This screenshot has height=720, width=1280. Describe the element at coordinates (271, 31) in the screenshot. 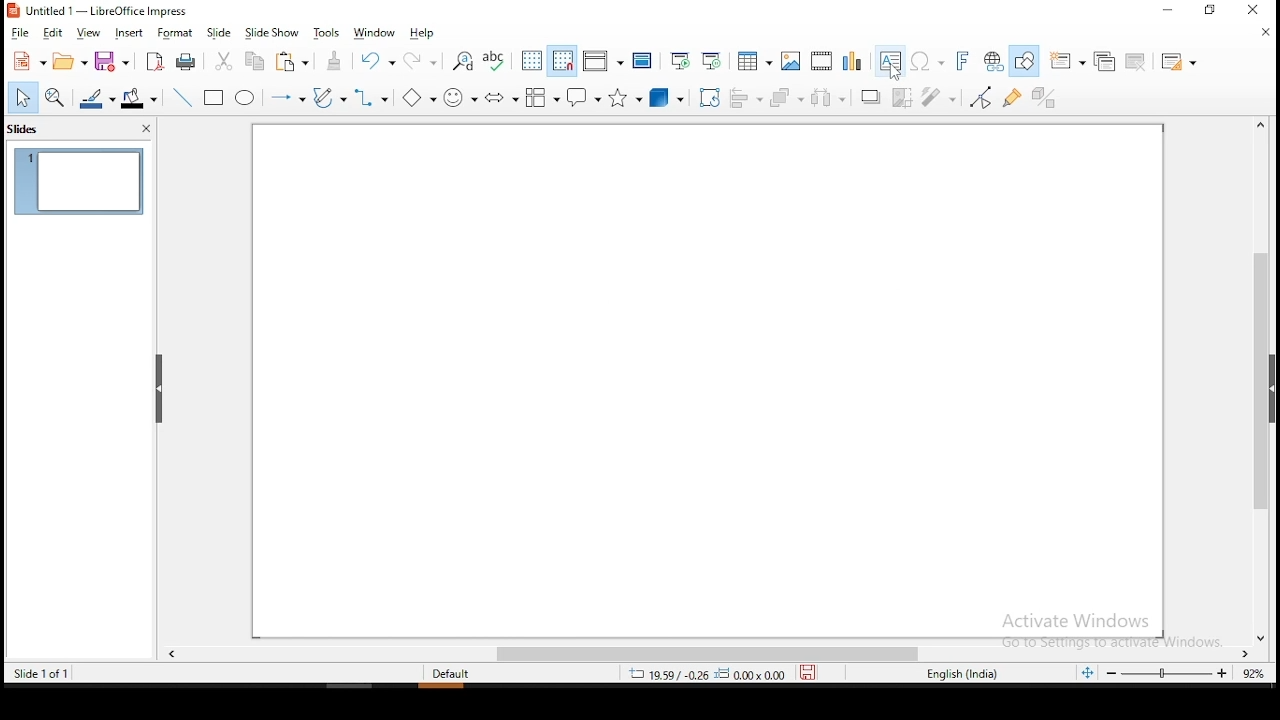

I see `slide show` at that location.